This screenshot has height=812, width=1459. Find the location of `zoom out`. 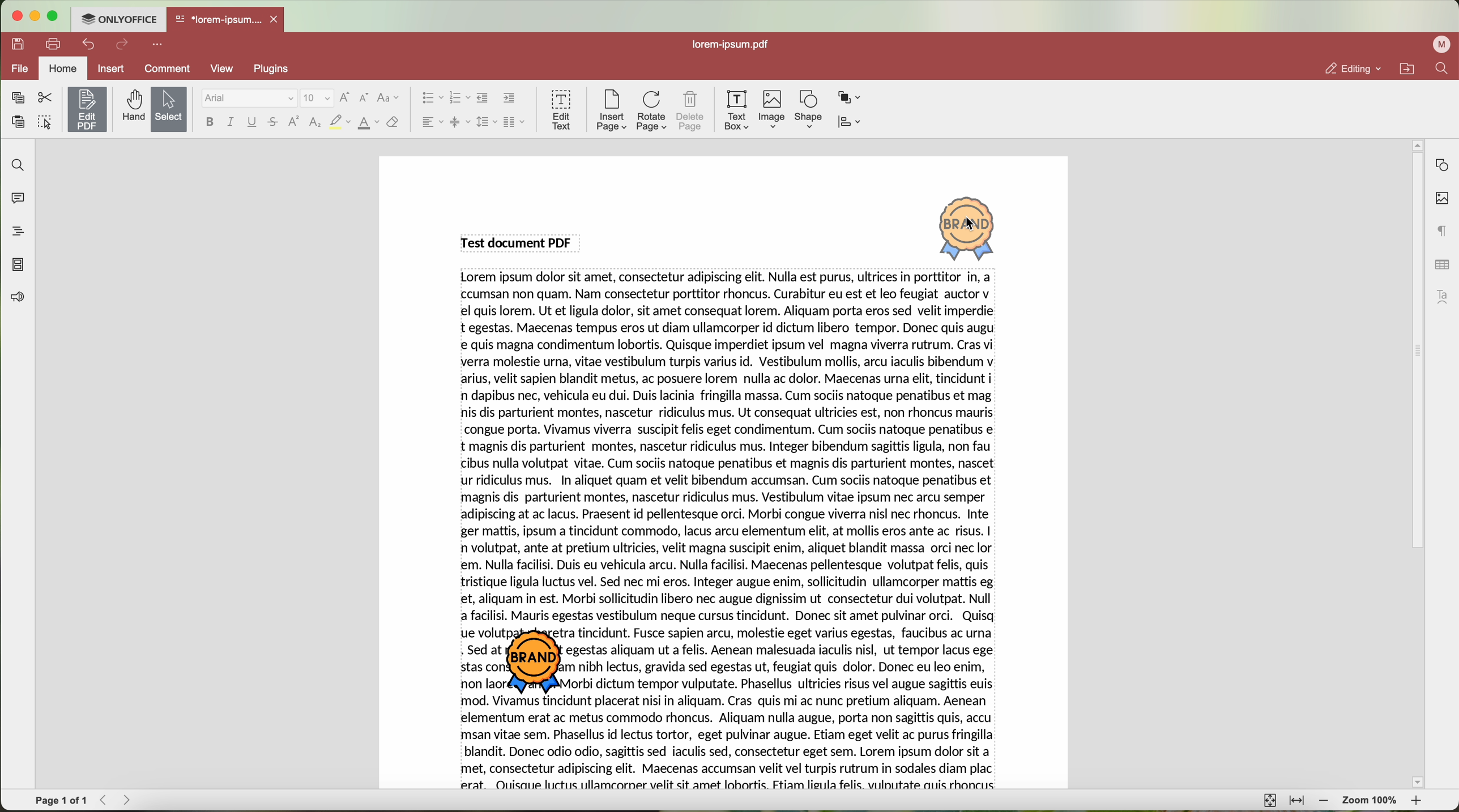

zoom out is located at coordinates (1324, 801).